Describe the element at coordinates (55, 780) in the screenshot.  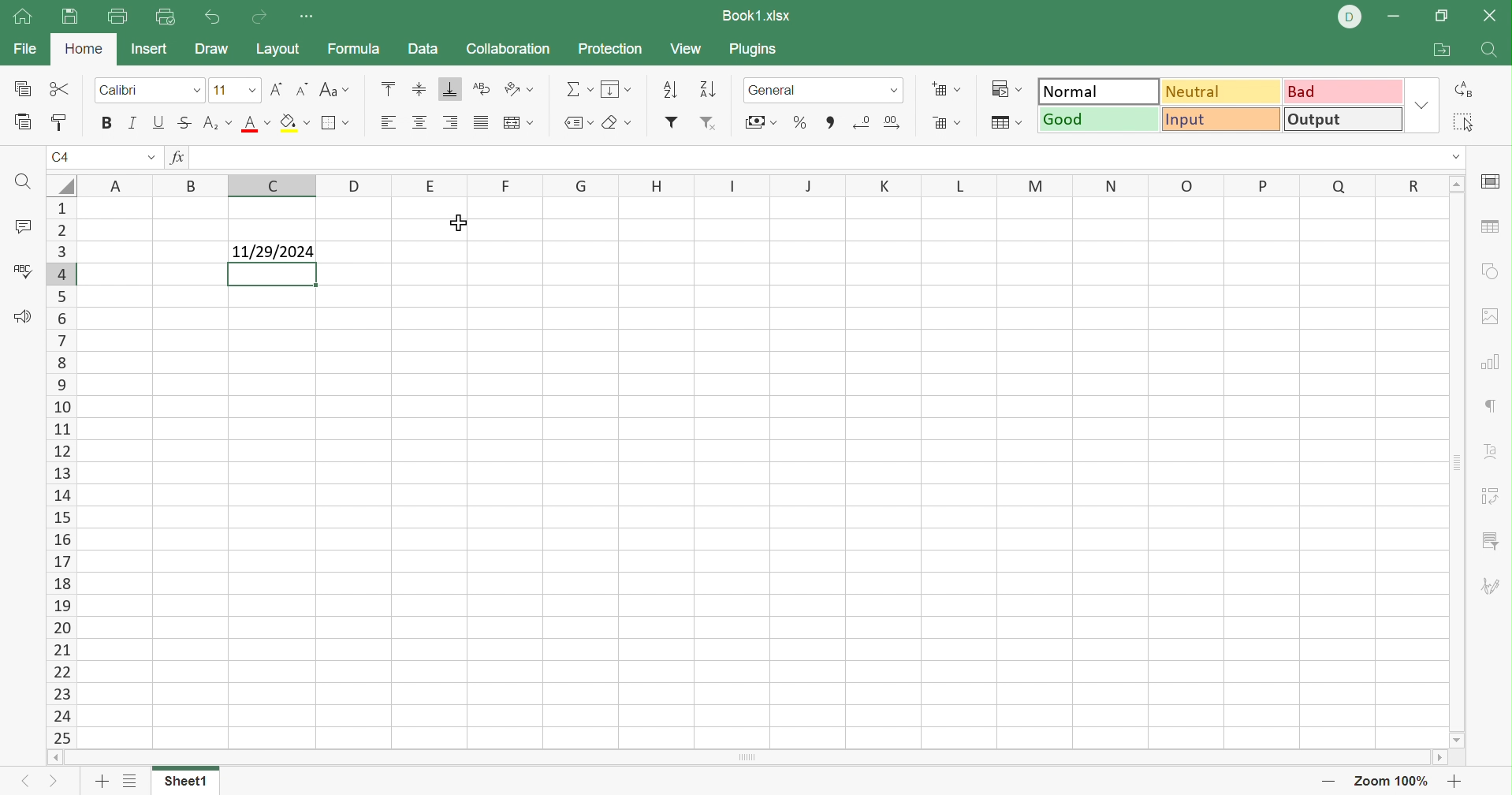
I see `Next` at that location.